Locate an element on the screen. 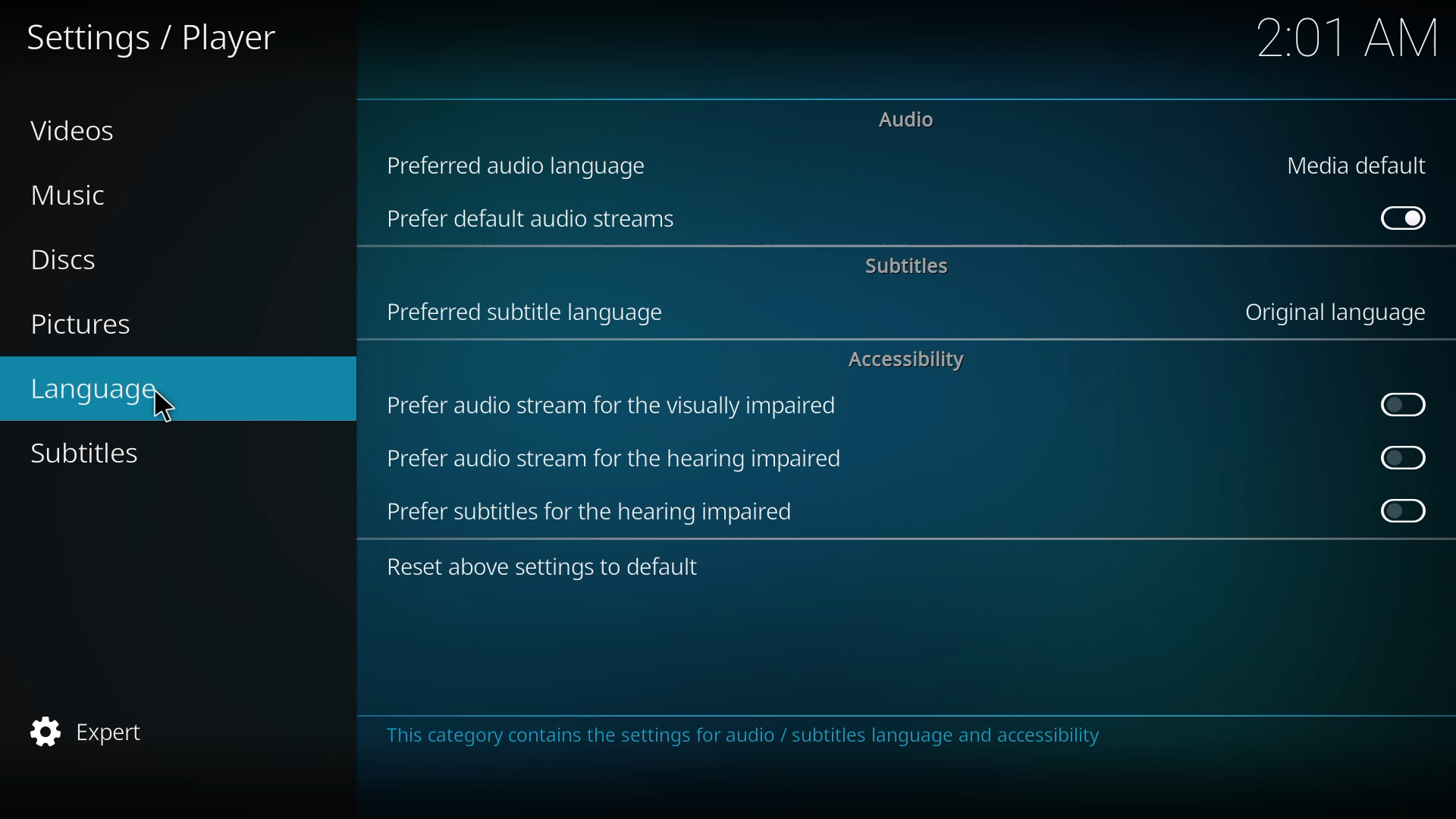 Image resolution: width=1456 pixels, height=819 pixels. accessibility is located at coordinates (906, 360).